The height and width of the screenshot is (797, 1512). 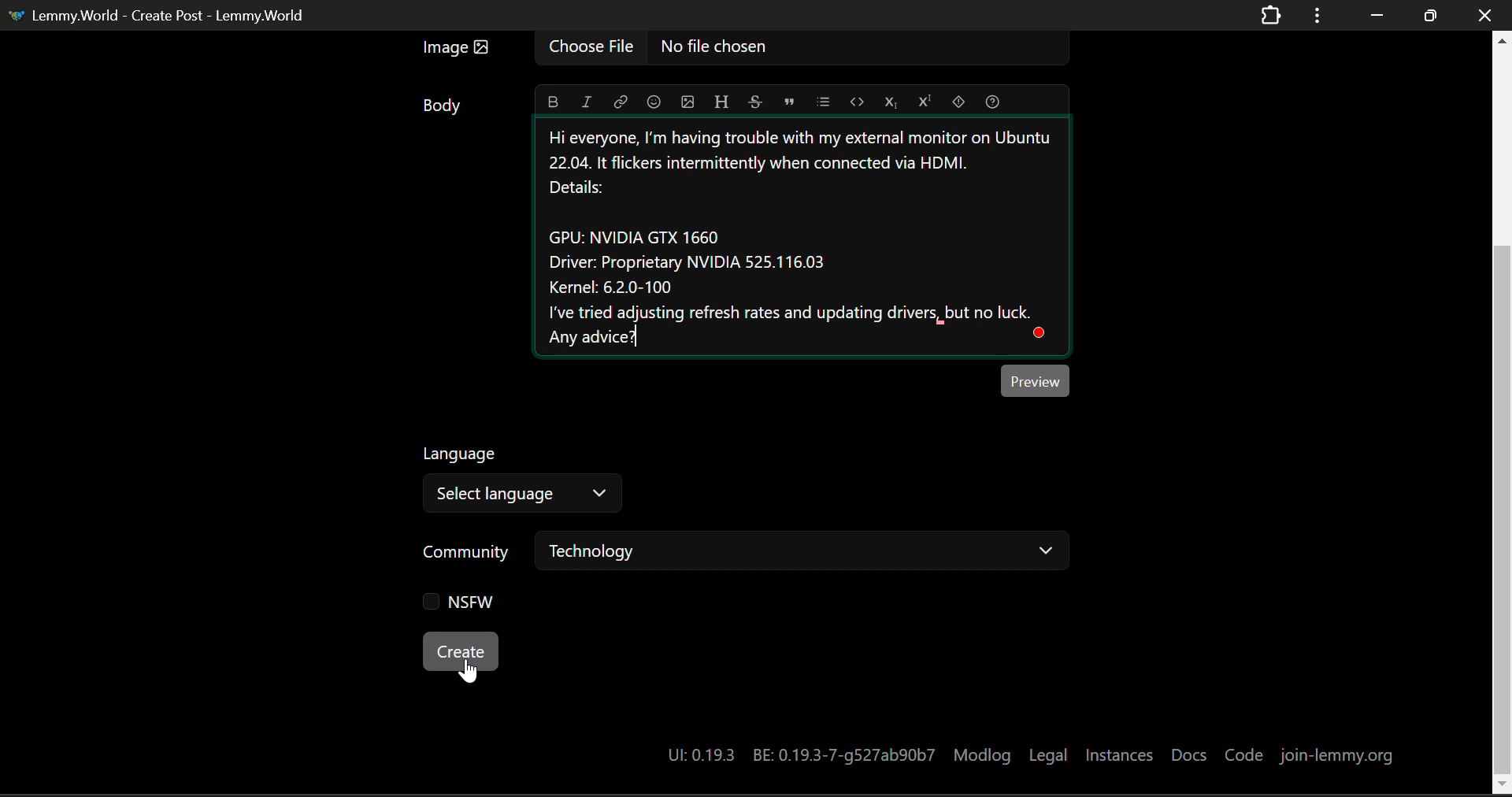 I want to click on Select Post Language , so click(x=519, y=482).